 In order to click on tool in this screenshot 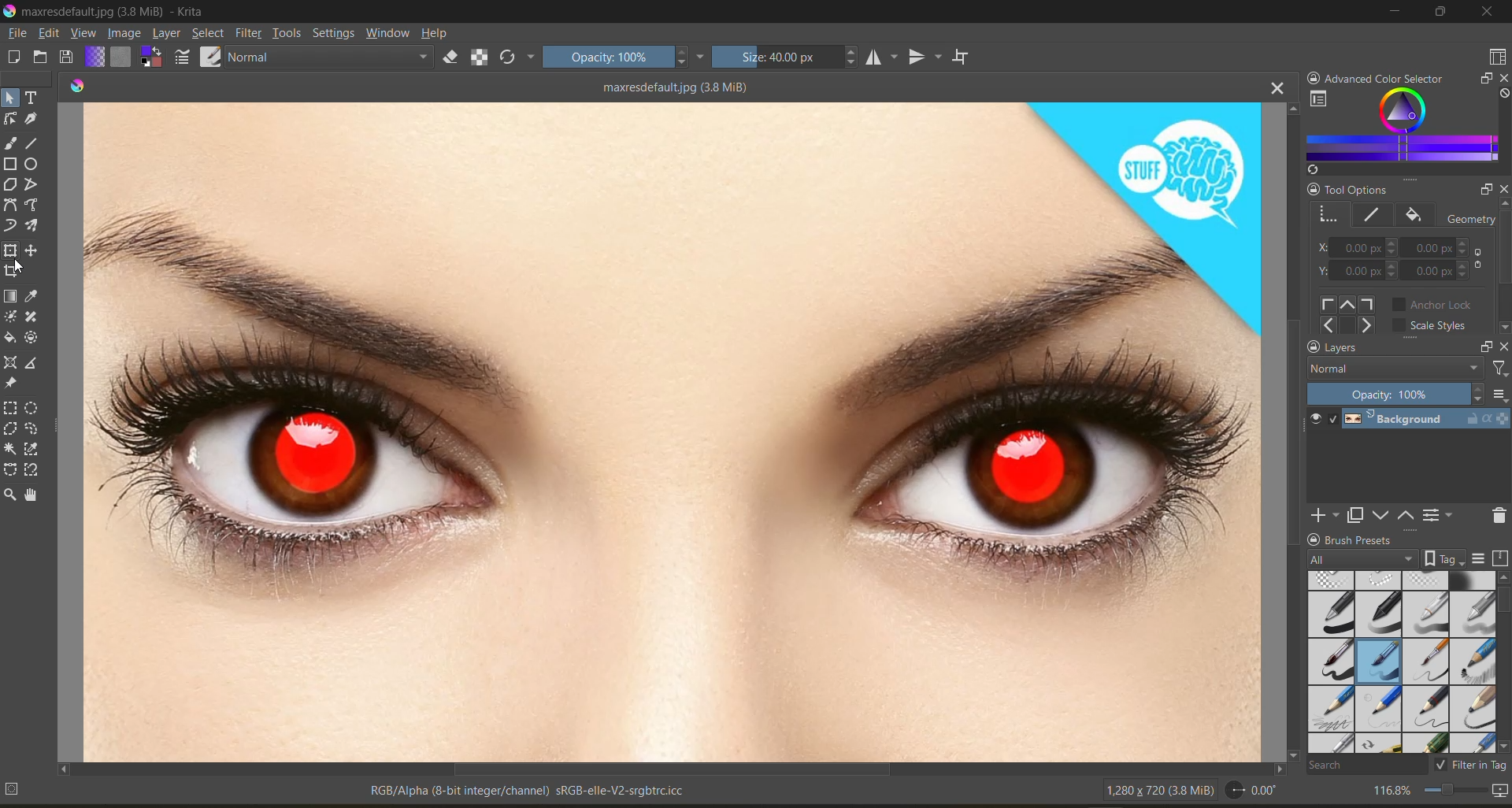, I will do `click(10, 119)`.